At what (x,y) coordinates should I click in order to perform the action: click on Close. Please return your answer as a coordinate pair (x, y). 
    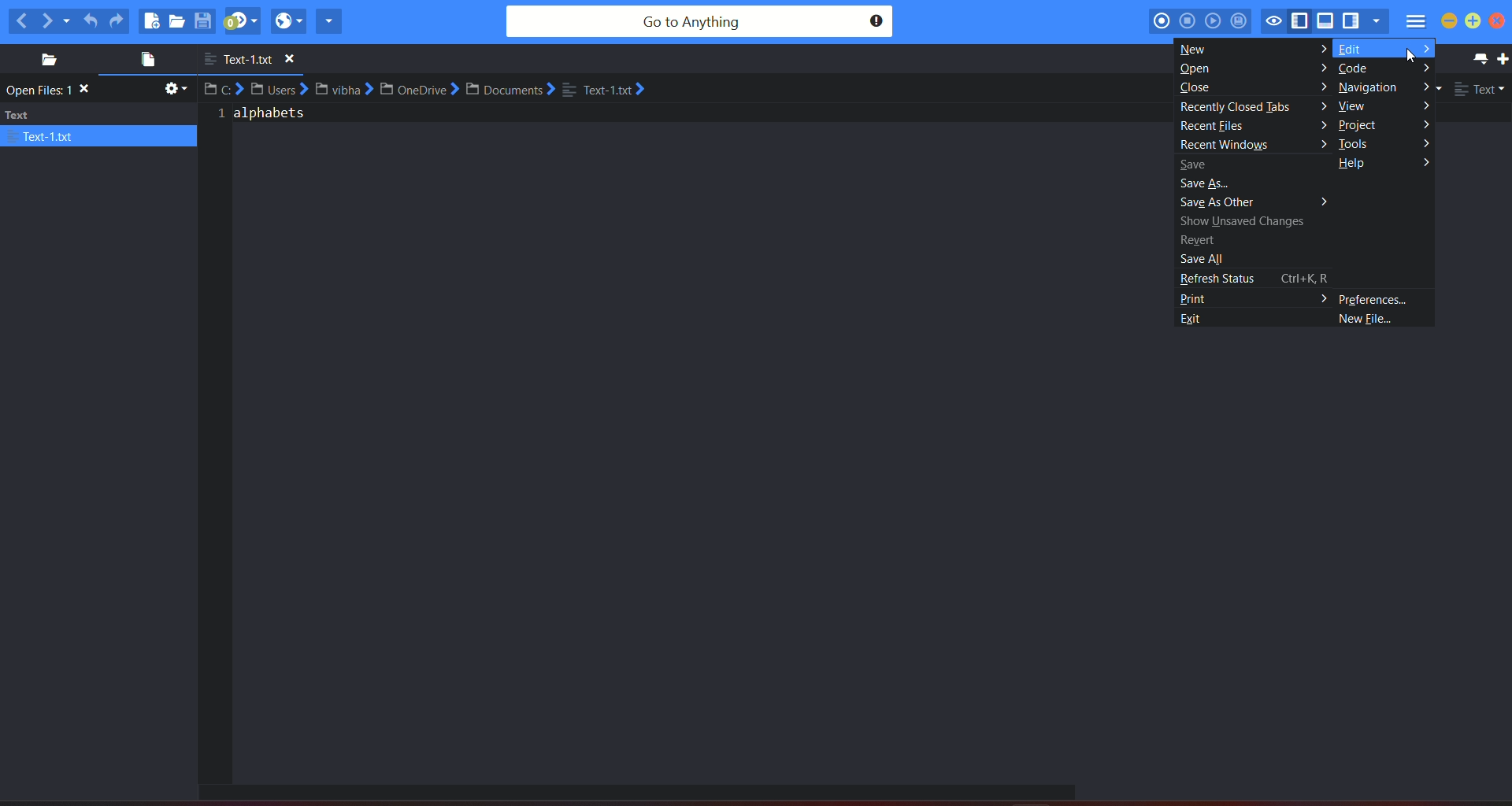
    Looking at the image, I should click on (1199, 87).